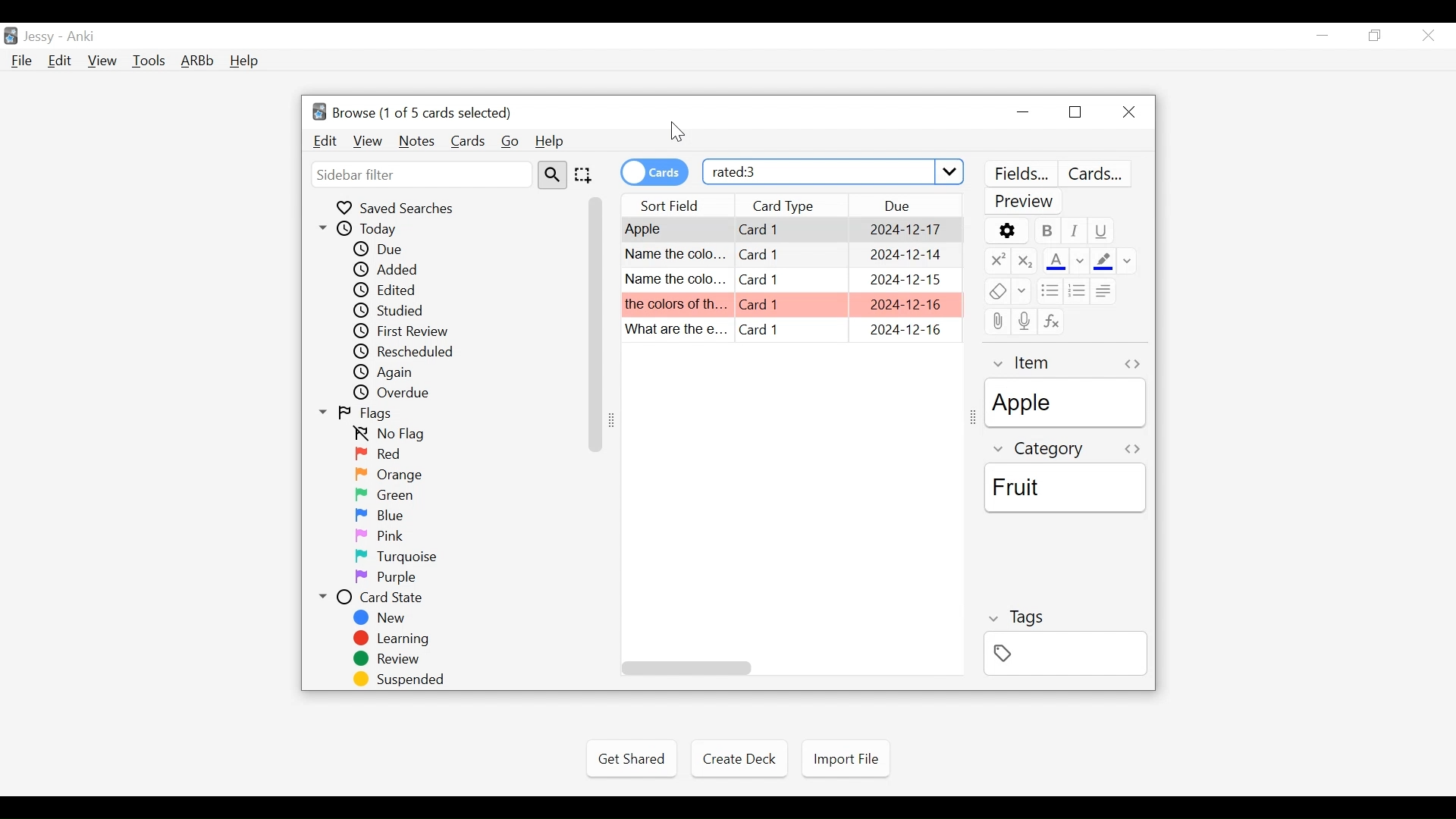 Image resolution: width=1456 pixels, height=819 pixels. What do you see at coordinates (997, 260) in the screenshot?
I see `Superscript` at bounding box center [997, 260].